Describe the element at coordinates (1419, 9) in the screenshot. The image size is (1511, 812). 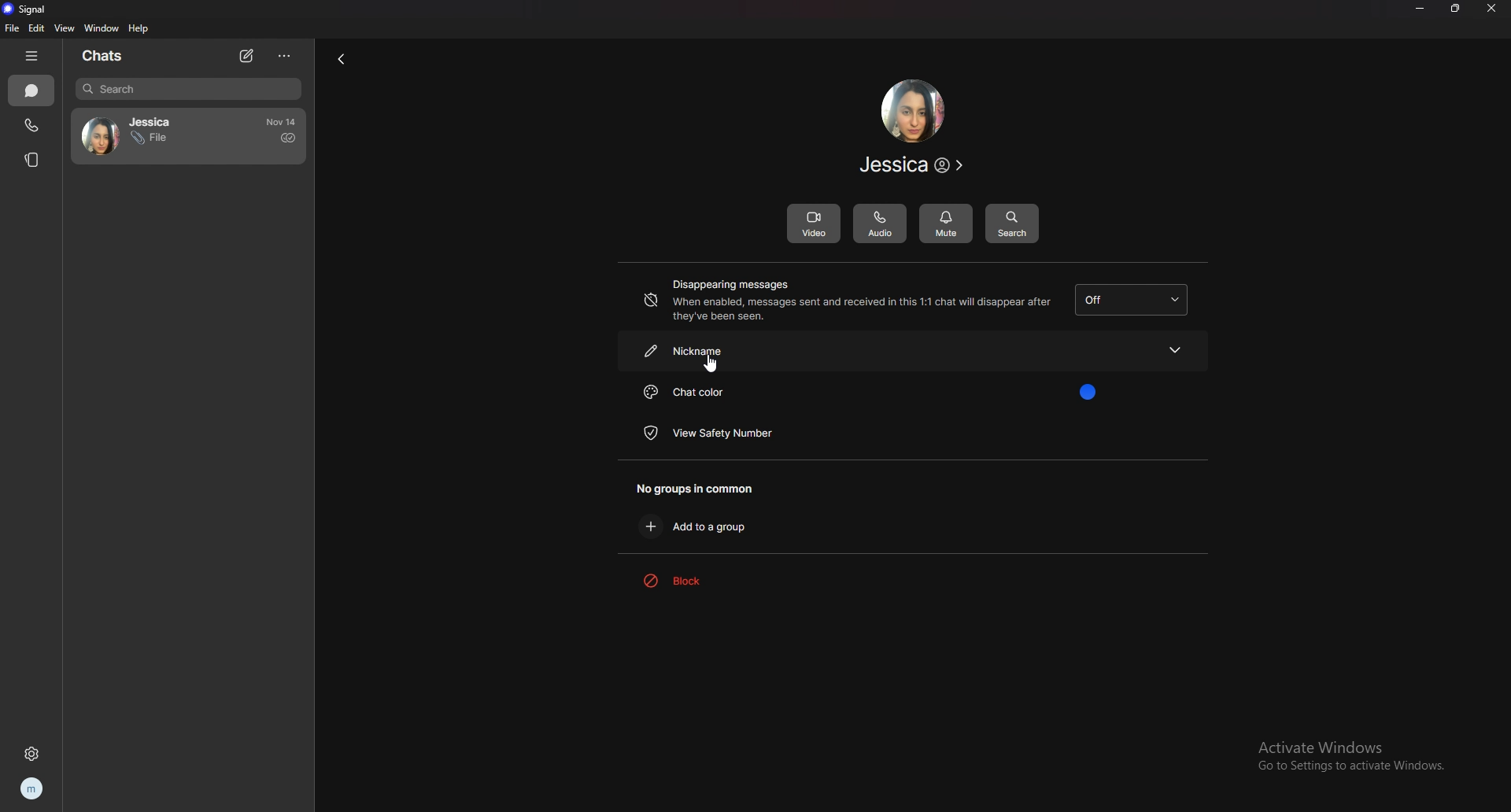
I see `minimize` at that location.